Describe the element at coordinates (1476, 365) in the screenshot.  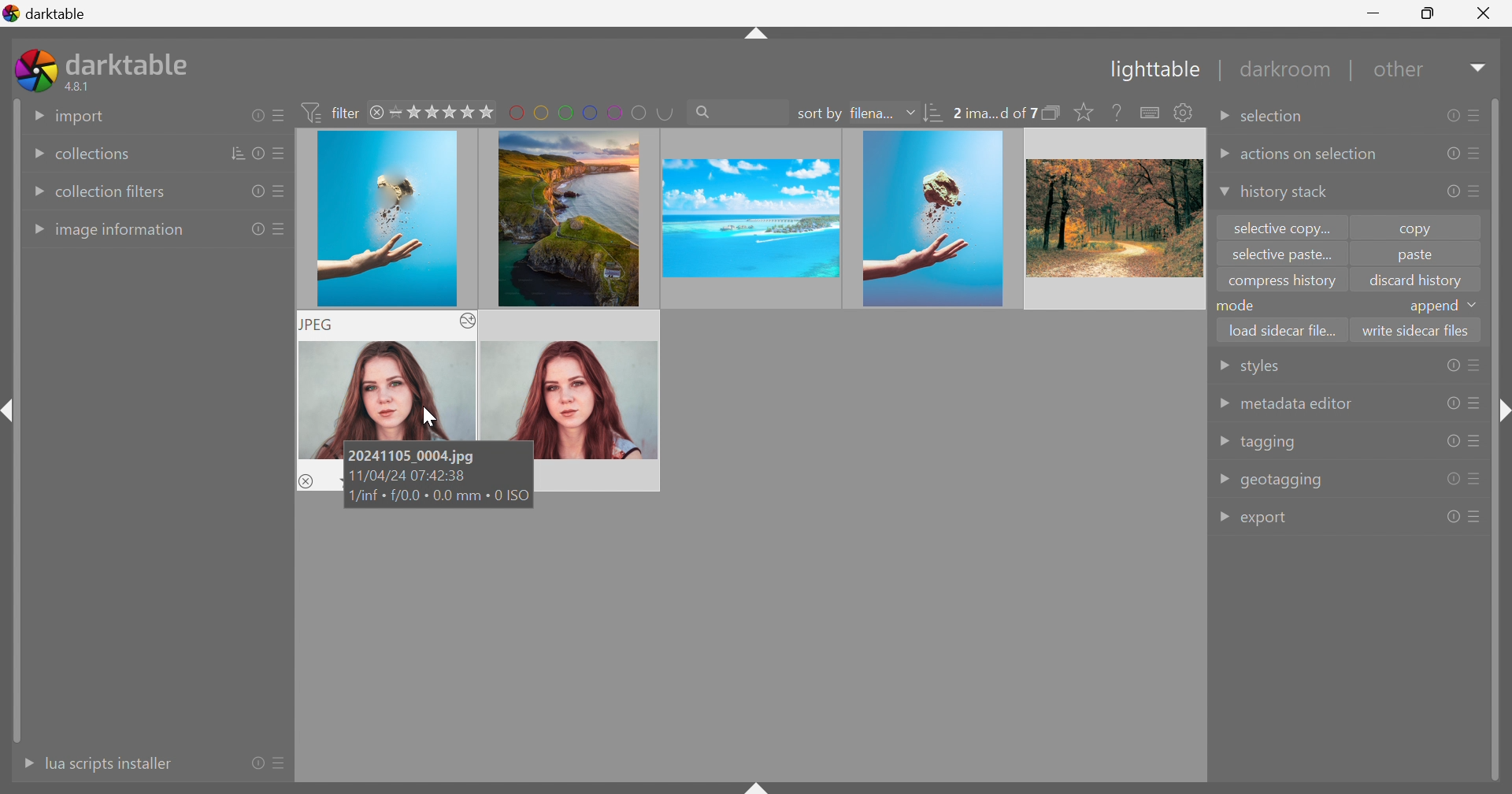
I see `presets` at that location.